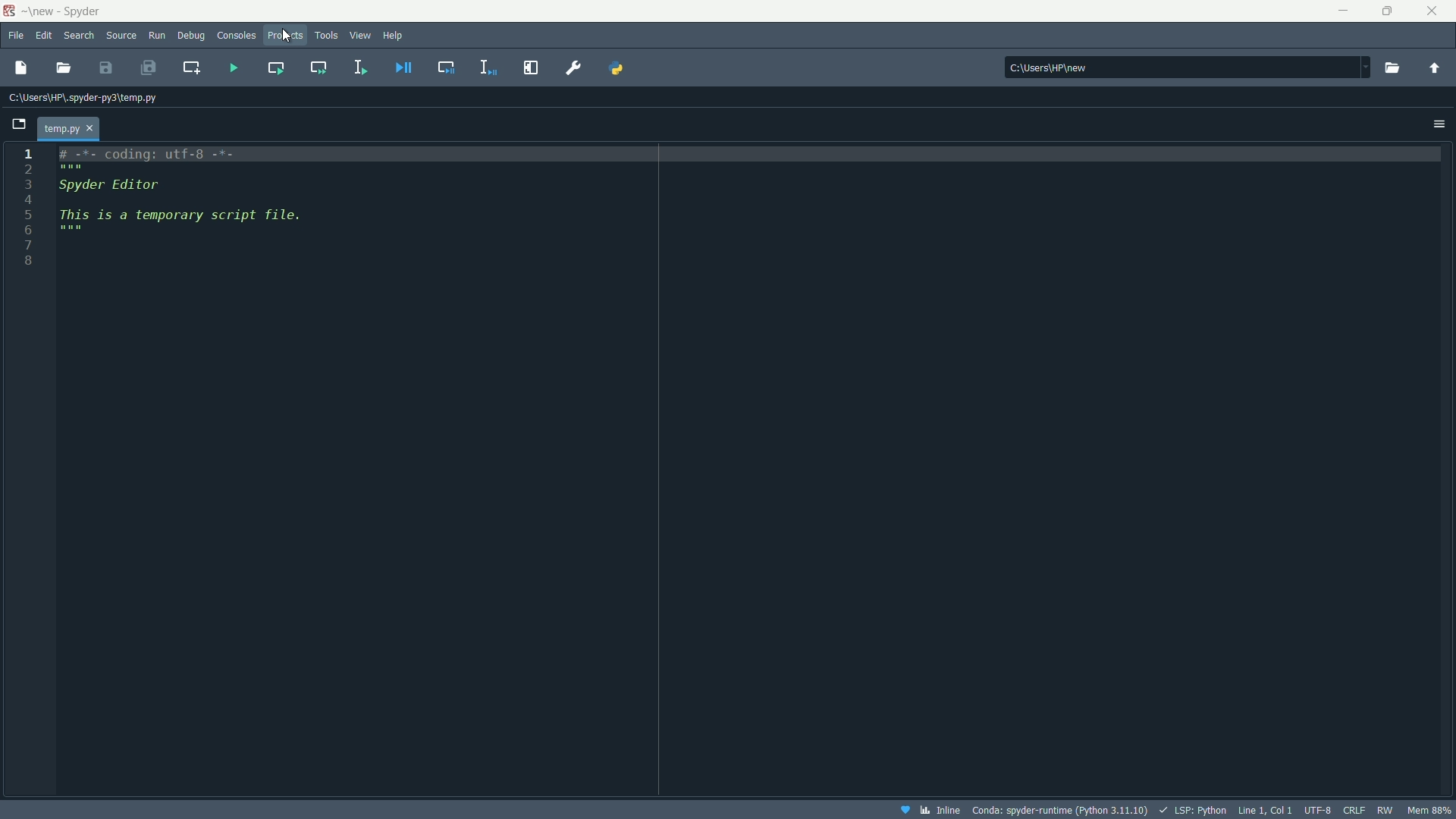  Describe the element at coordinates (11, 12) in the screenshot. I see `App icon` at that location.